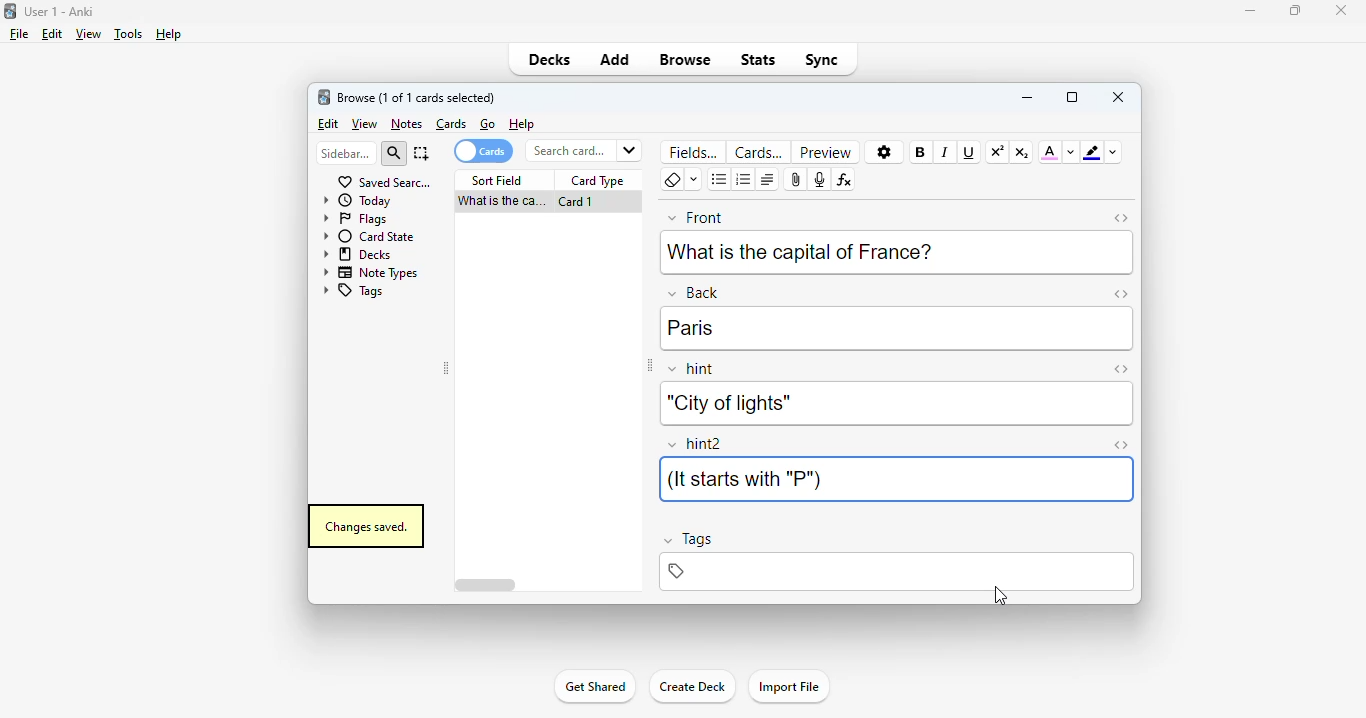 This screenshot has width=1366, height=718. I want to click on sidebar filter, so click(346, 153).